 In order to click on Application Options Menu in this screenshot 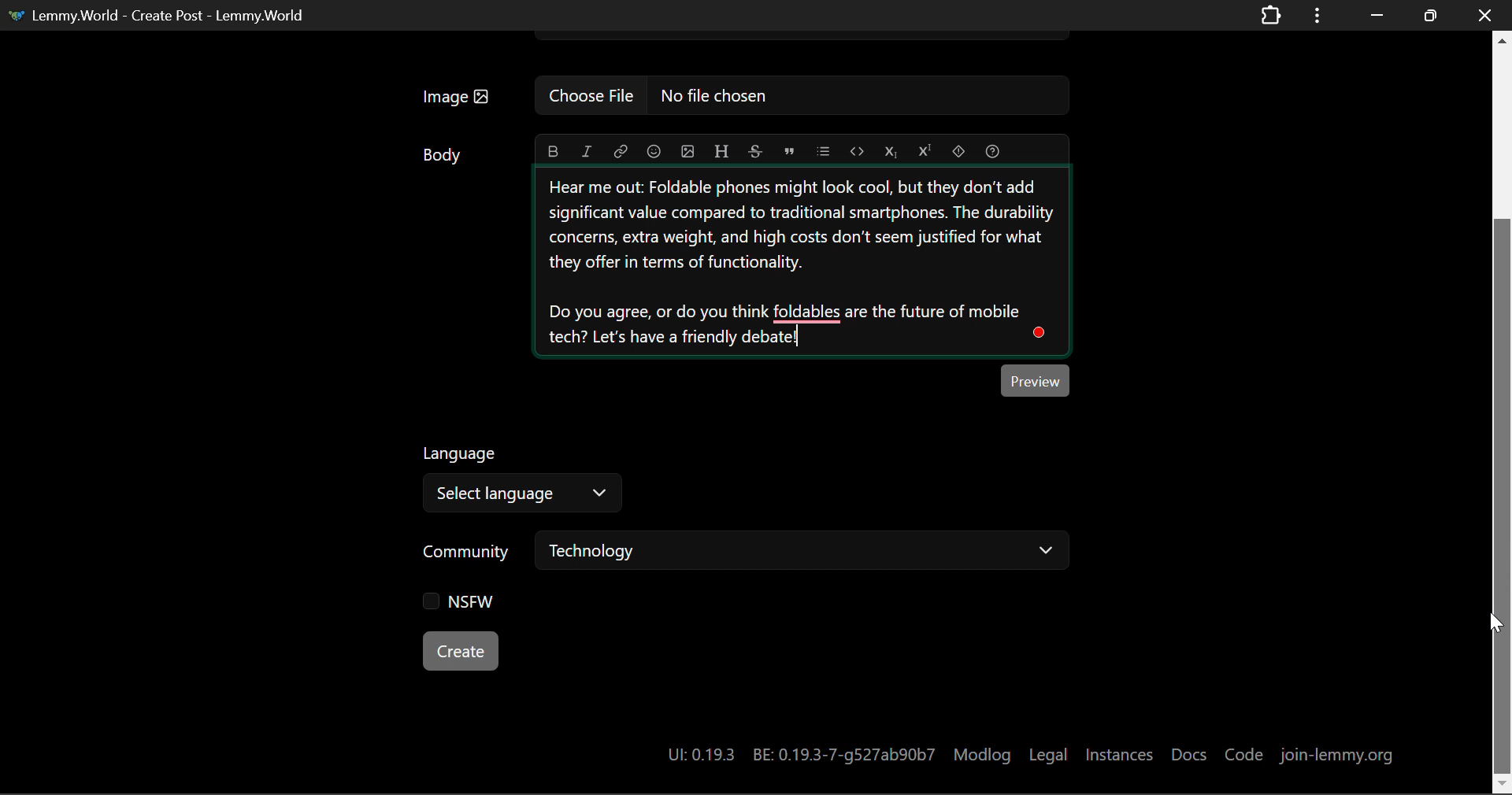, I will do `click(1317, 14)`.